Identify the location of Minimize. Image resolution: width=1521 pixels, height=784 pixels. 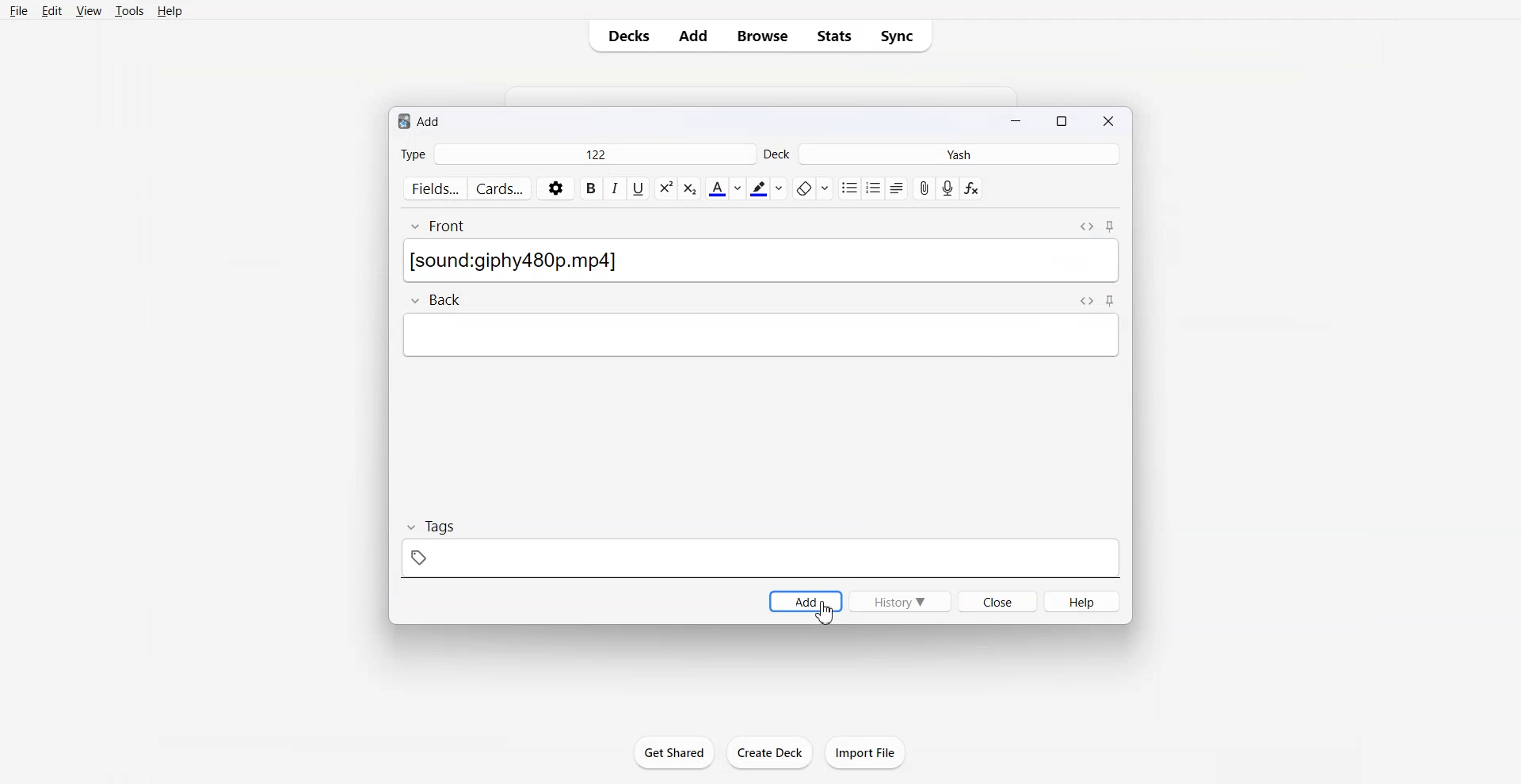
(1016, 120).